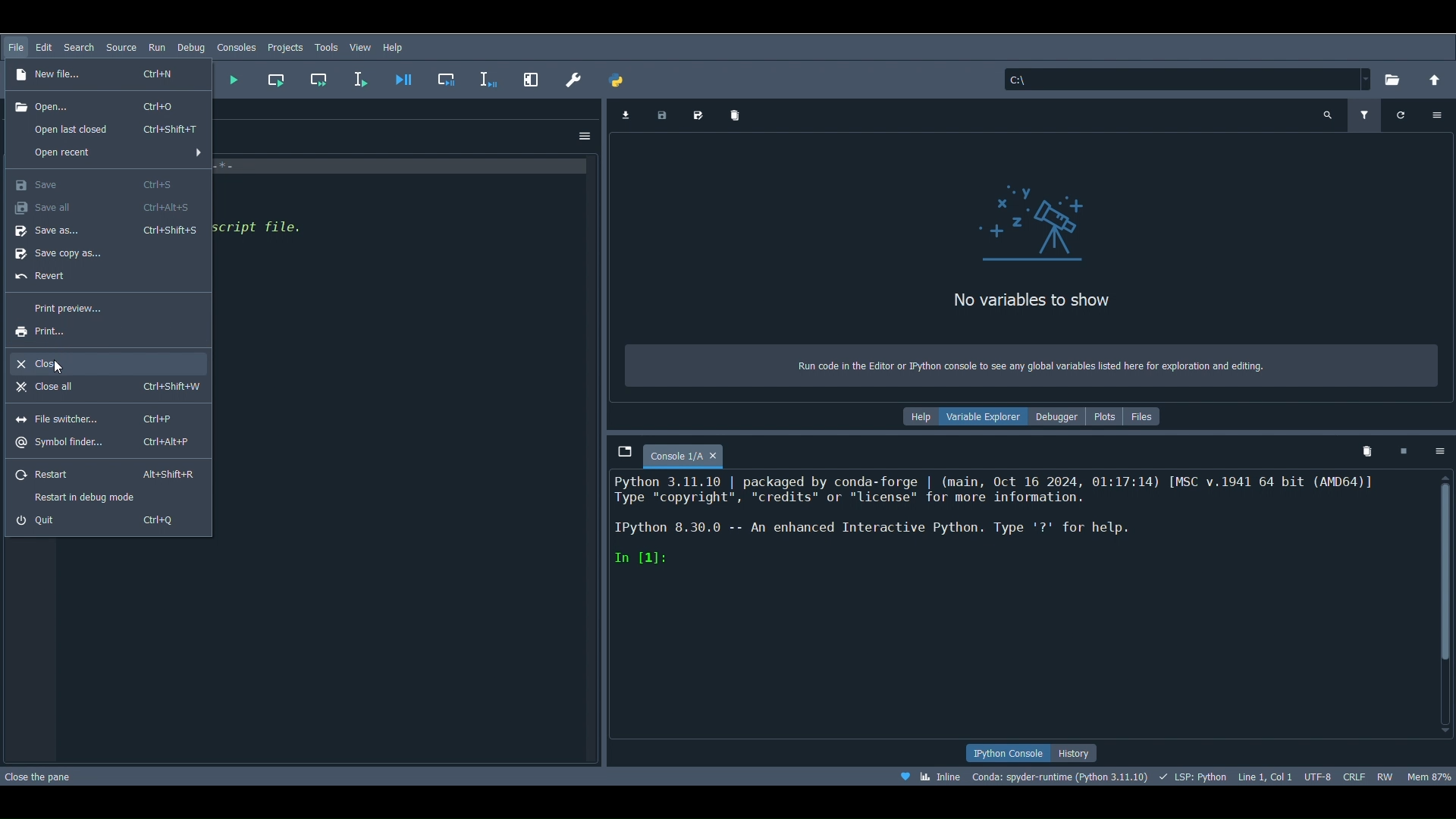  I want to click on Debug, so click(191, 46).